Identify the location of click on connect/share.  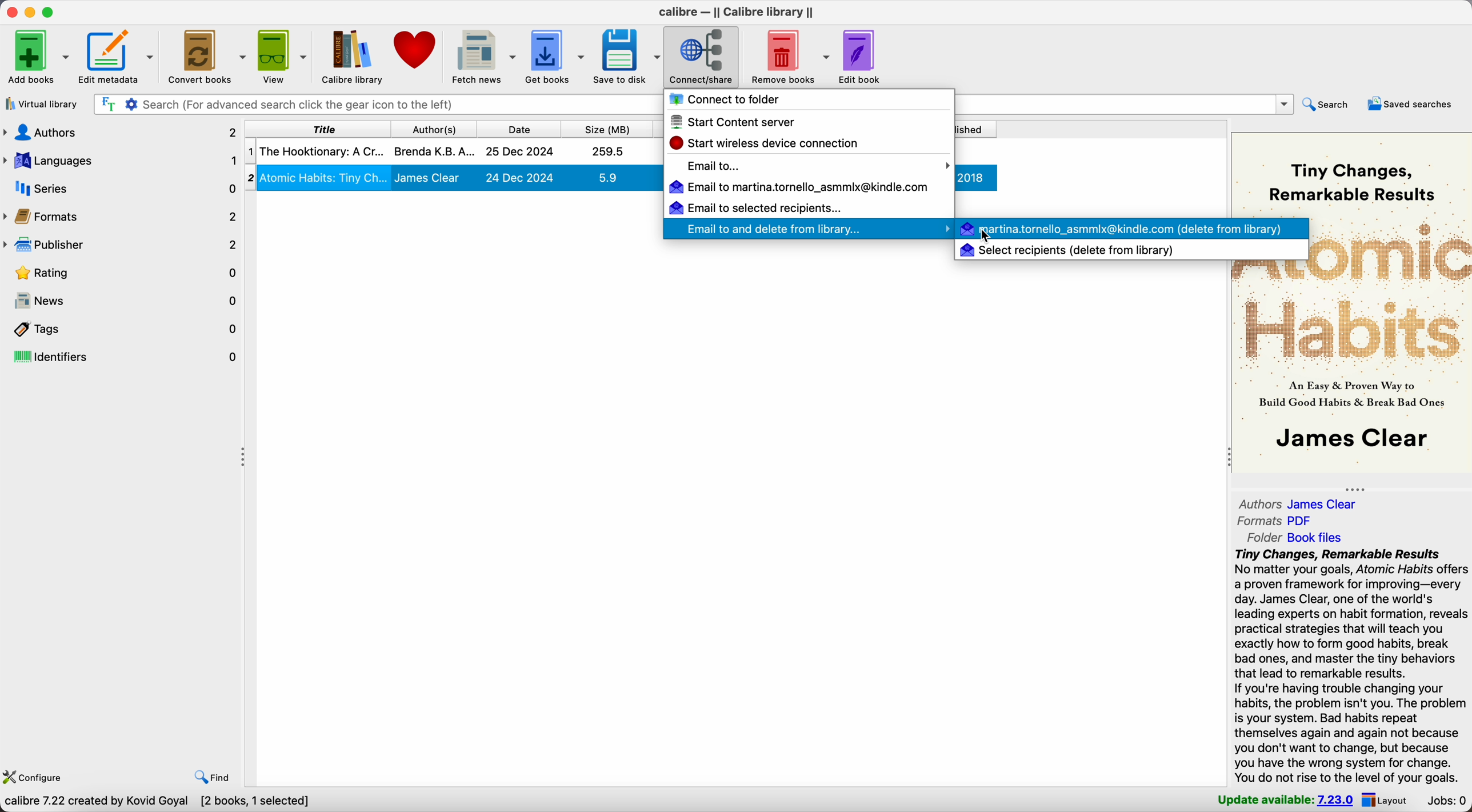
(702, 57).